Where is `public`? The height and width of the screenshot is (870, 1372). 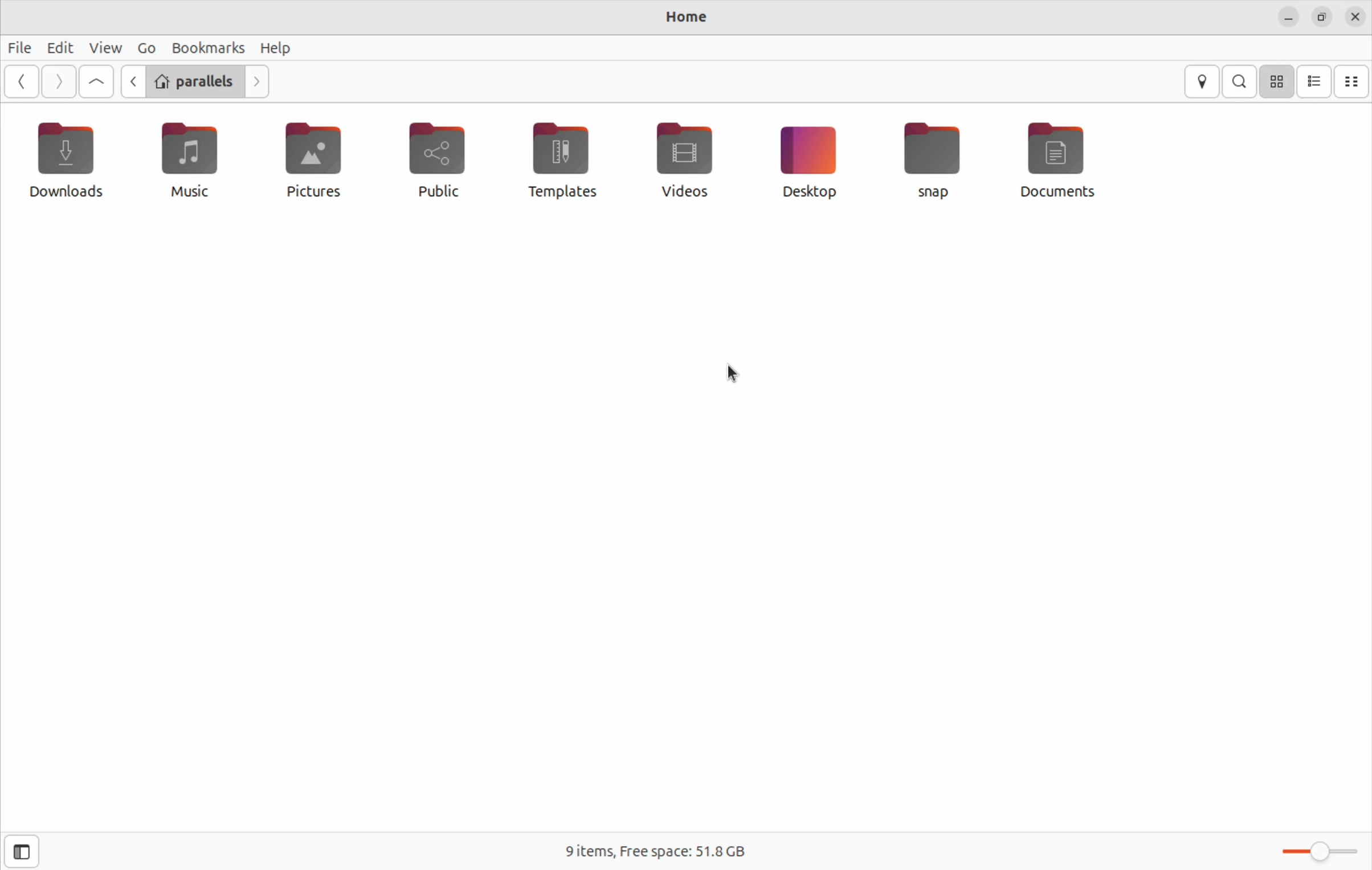
public is located at coordinates (444, 160).